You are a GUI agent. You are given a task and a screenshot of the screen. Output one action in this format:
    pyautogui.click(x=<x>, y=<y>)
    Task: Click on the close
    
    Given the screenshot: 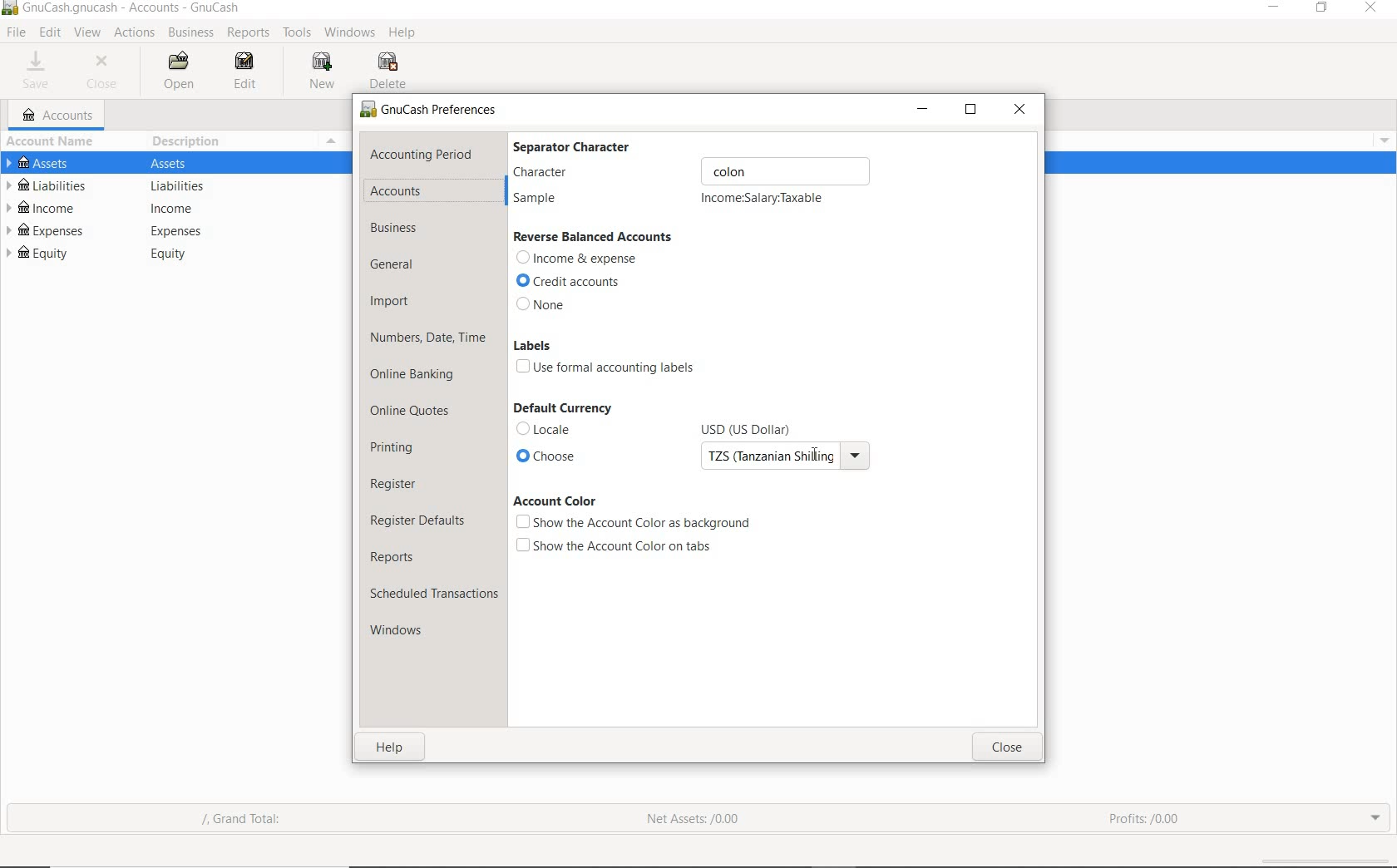 What is the action you would take?
    pyautogui.click(x=1021, y=108)
    